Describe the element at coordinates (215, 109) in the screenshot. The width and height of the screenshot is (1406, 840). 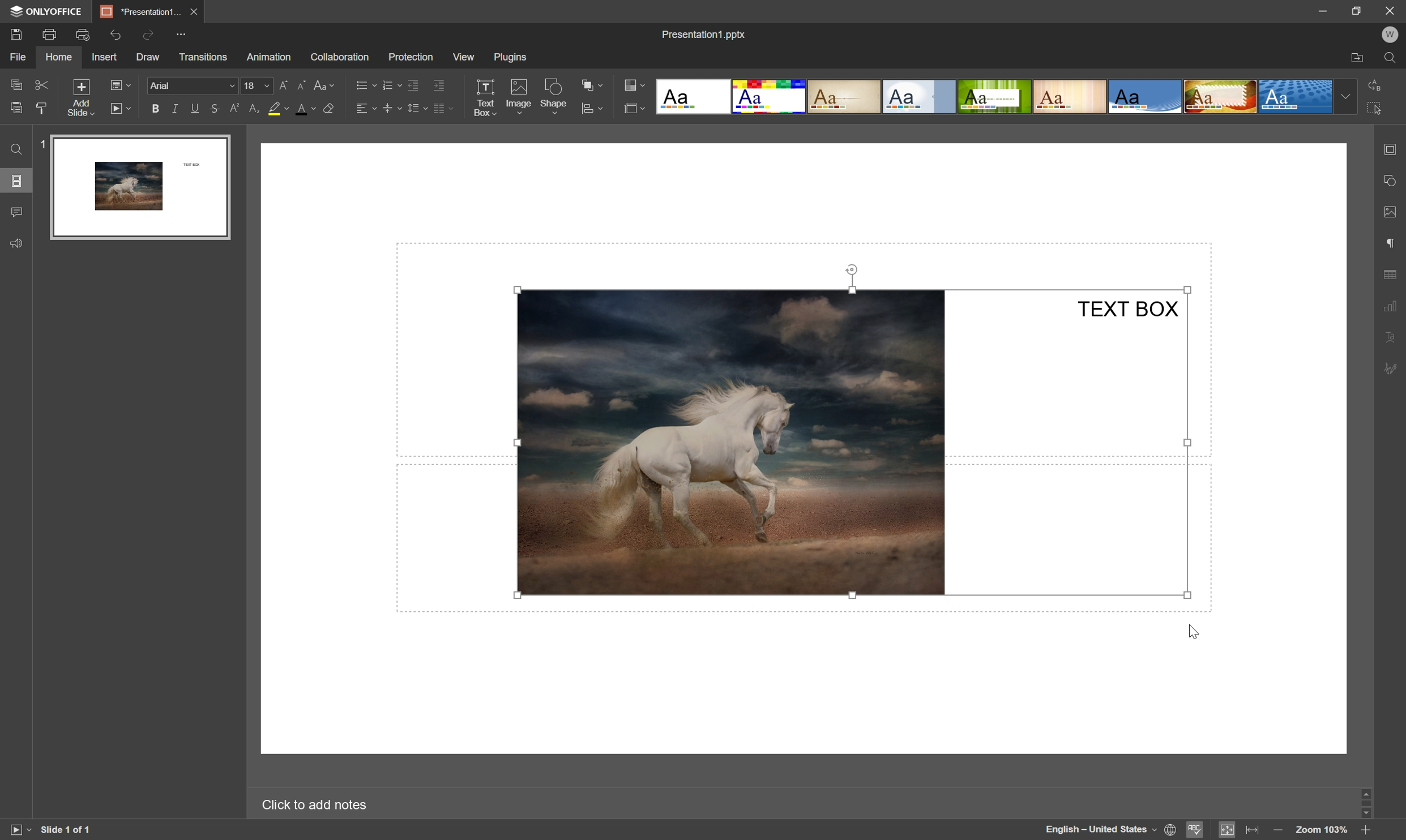
I see `strikethrough` at that location.